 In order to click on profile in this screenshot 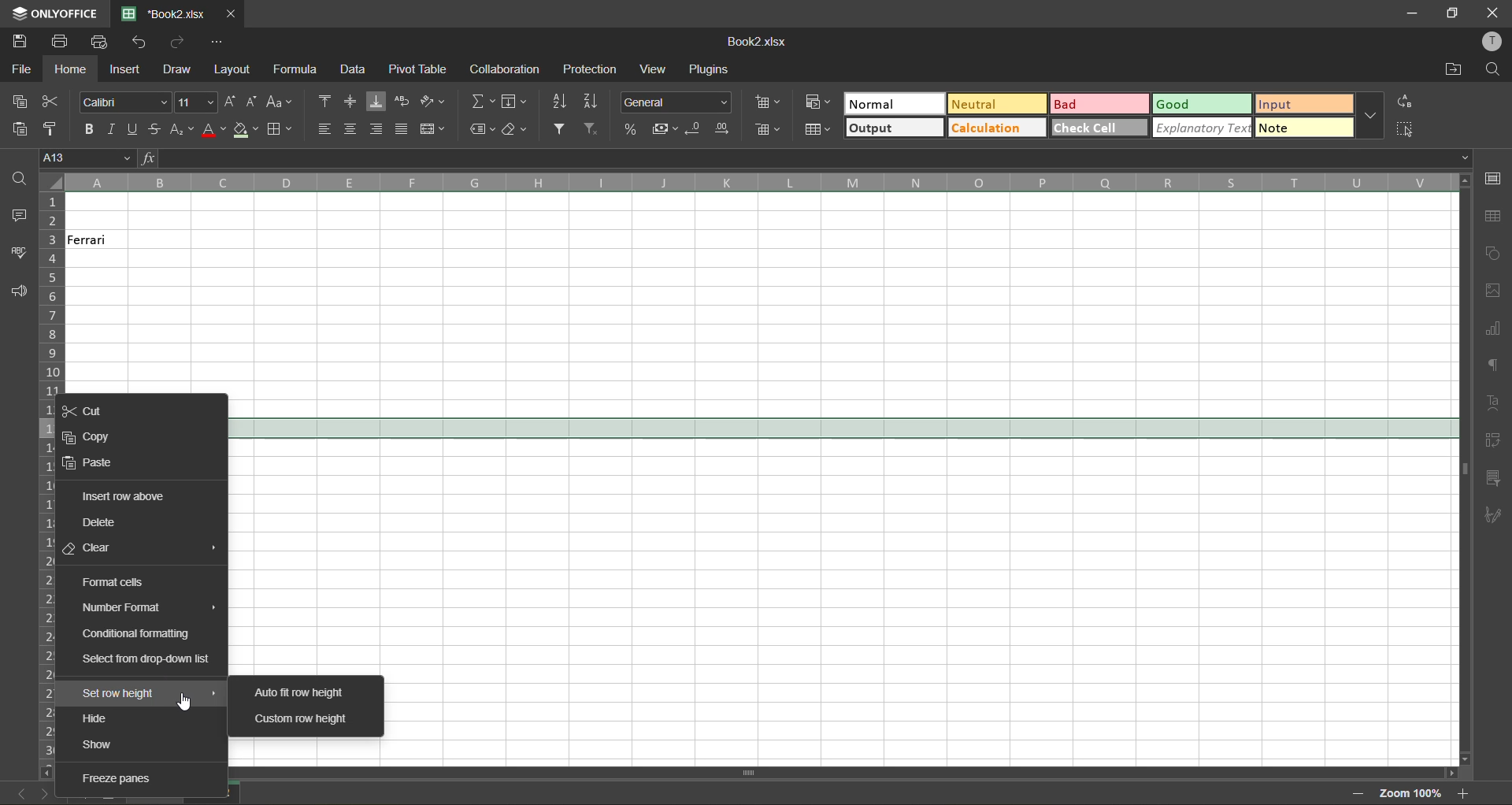, I will do `click(1490, 42)`.